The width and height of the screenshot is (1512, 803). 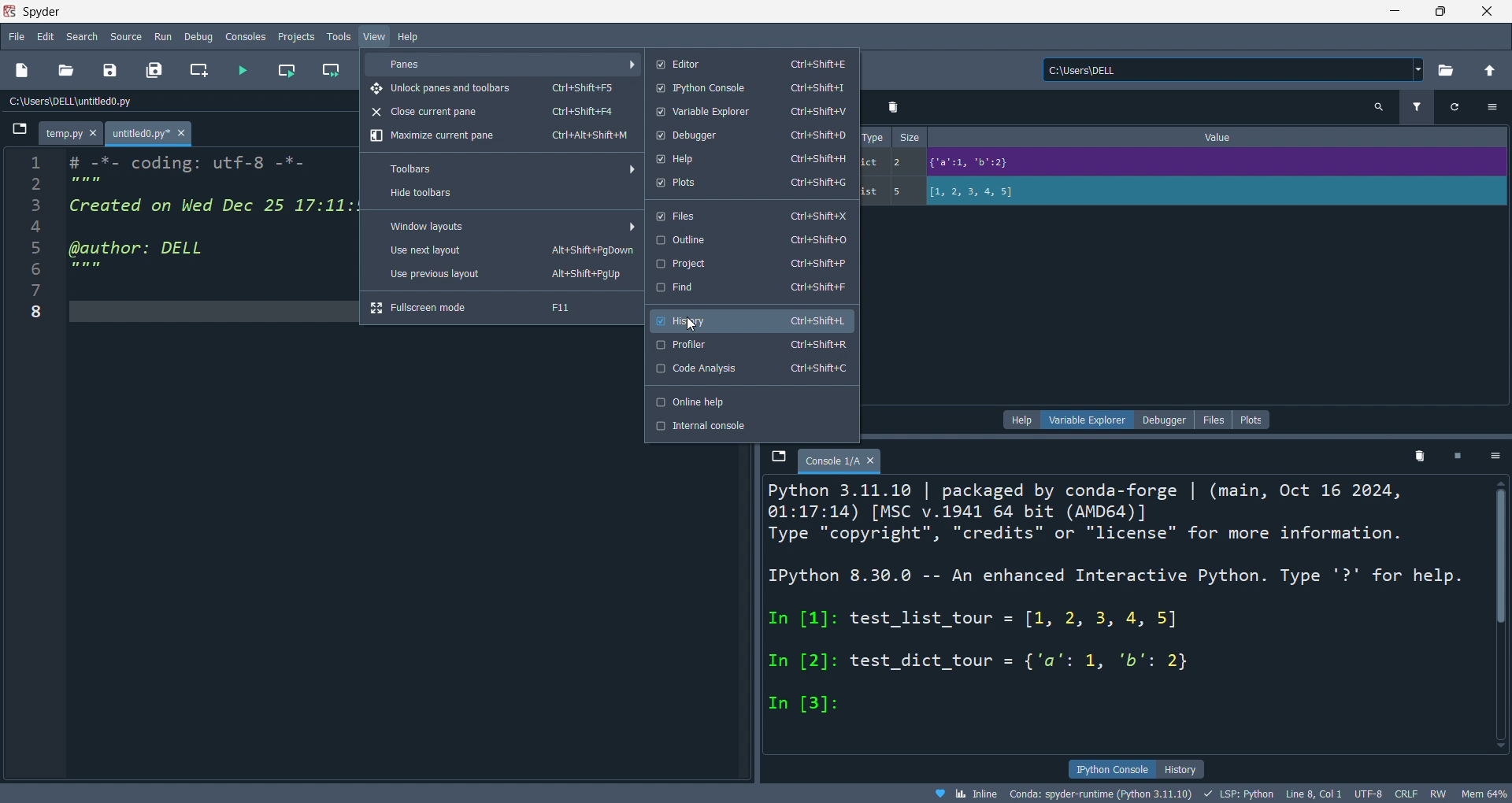 What do you see at coordinates (750, 240) in the screenshot?
I see `outline` at bounding box center [750, 240].